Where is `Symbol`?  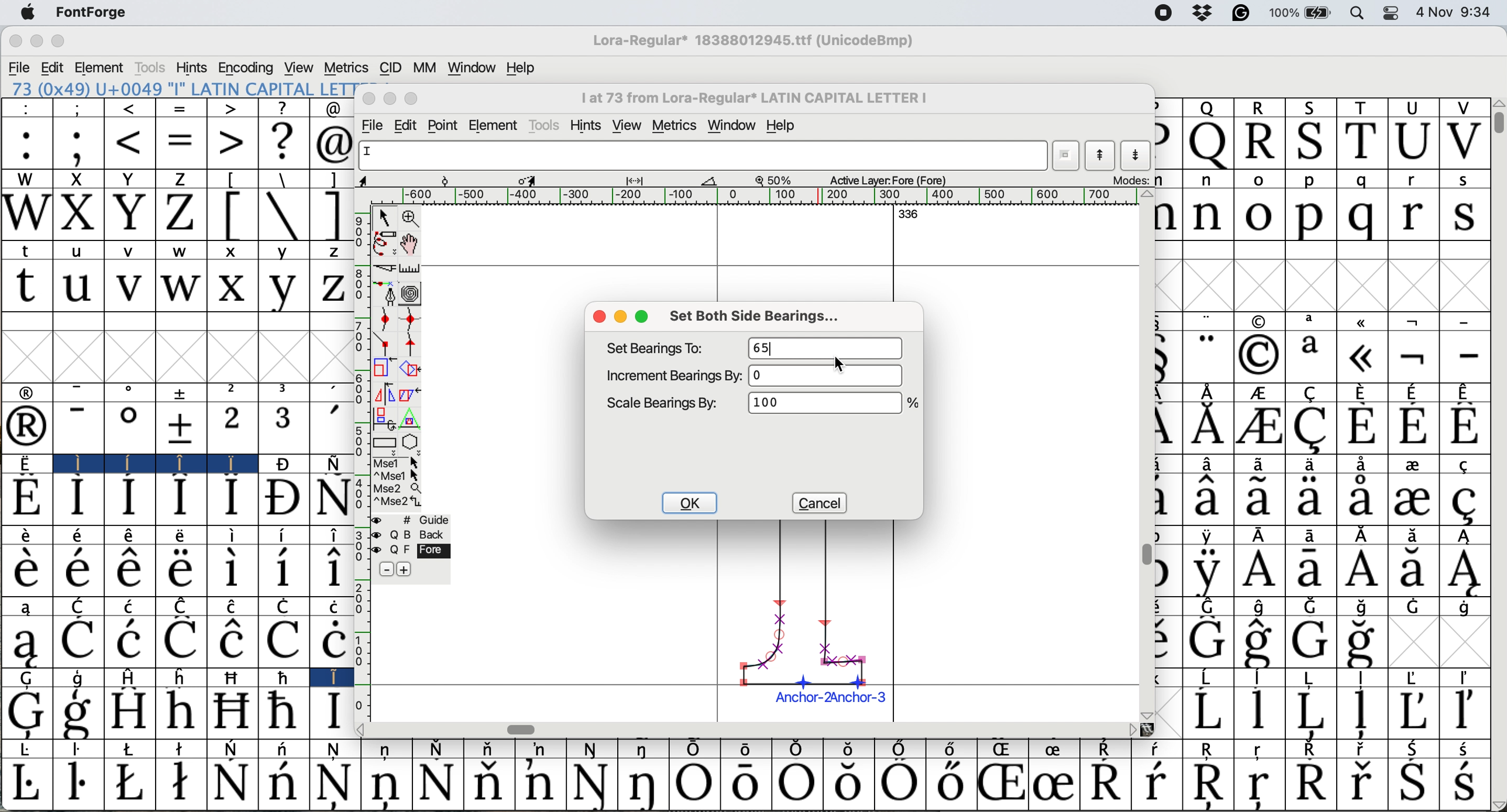 Symbol is located at coordinates (1314, 607).